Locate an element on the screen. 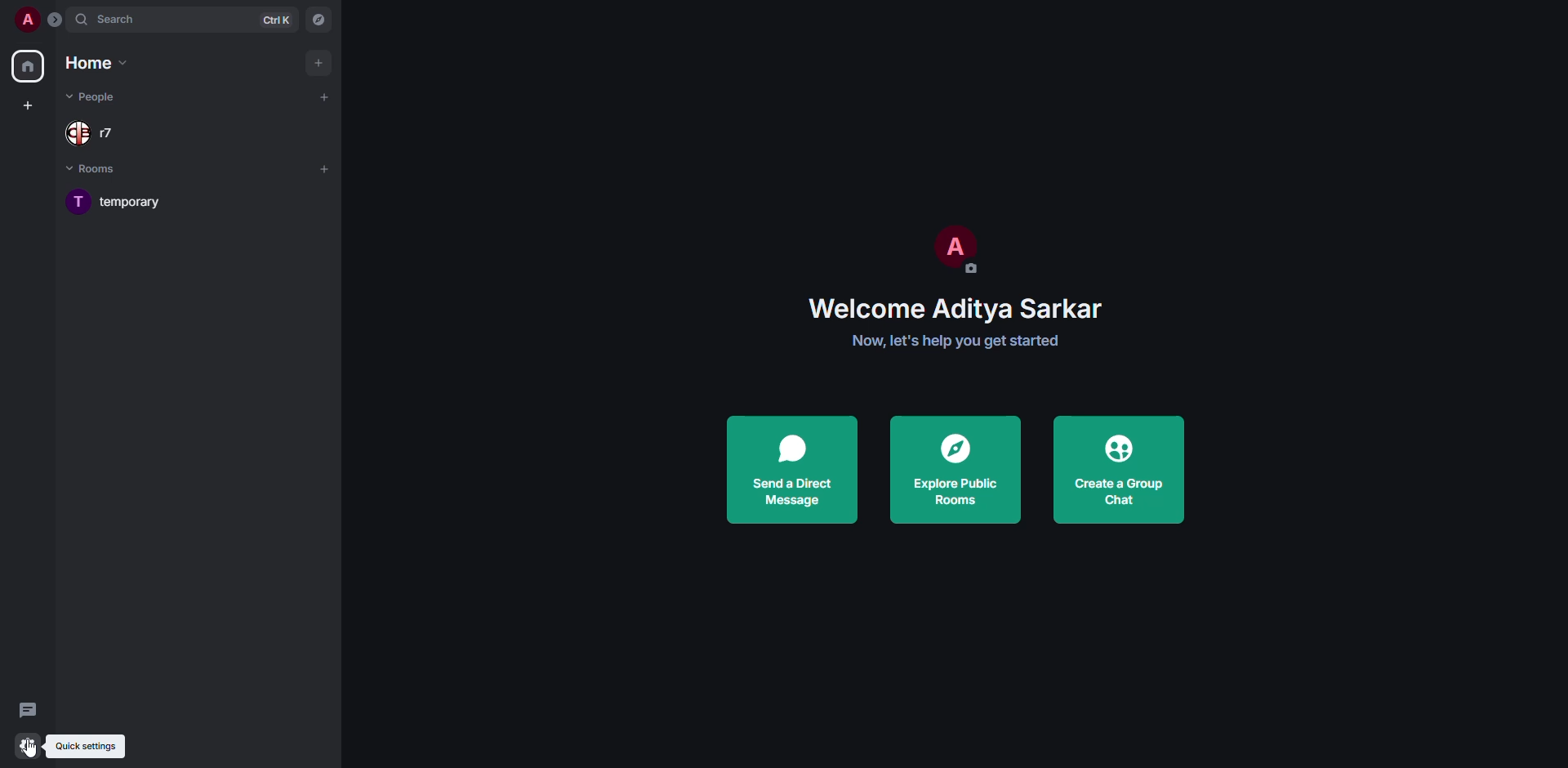 This screenshot has height=768, width=1568. cursor is located at coordinates (36, 751).